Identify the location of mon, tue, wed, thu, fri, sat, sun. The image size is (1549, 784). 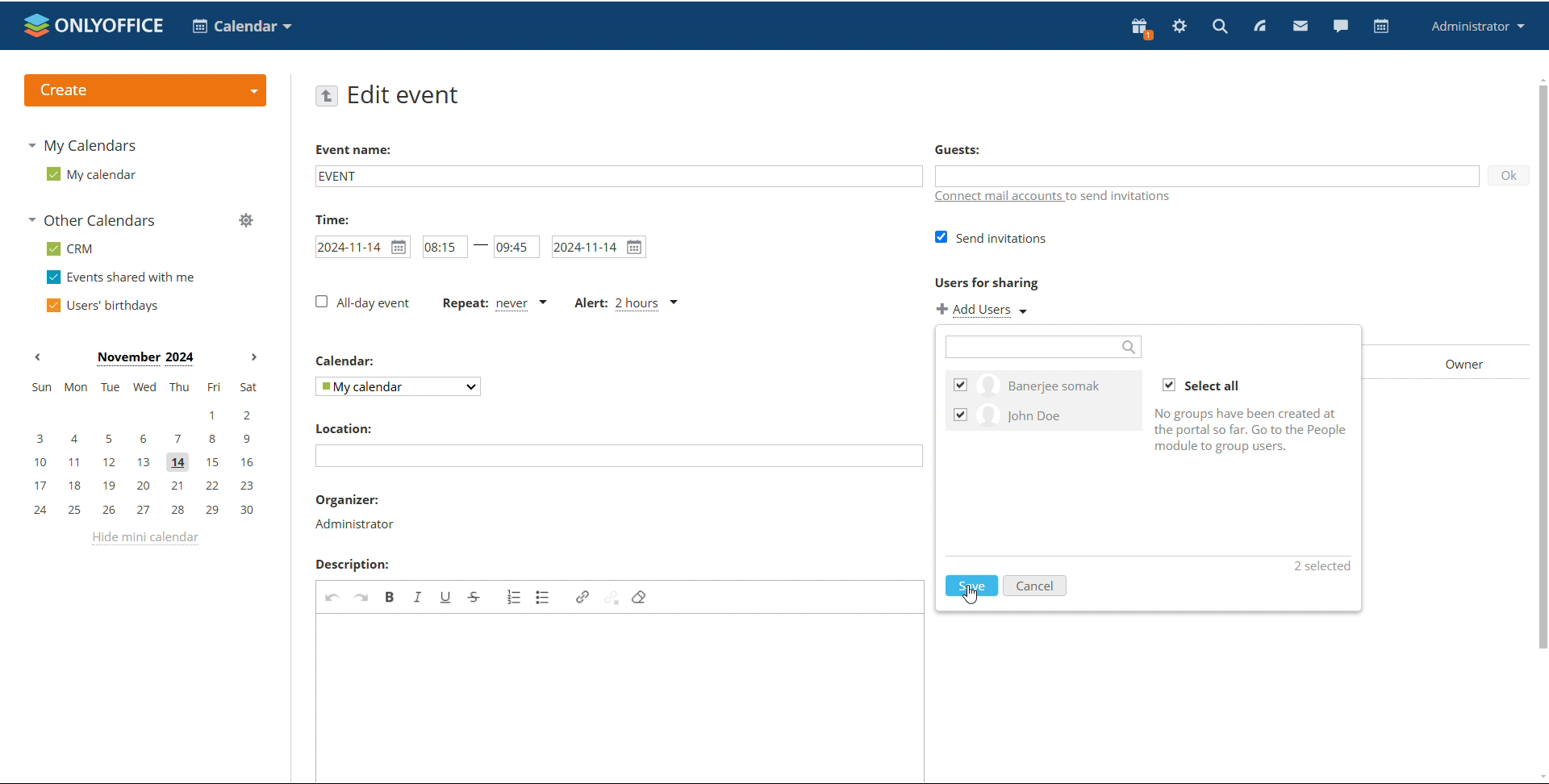
(144, 386).